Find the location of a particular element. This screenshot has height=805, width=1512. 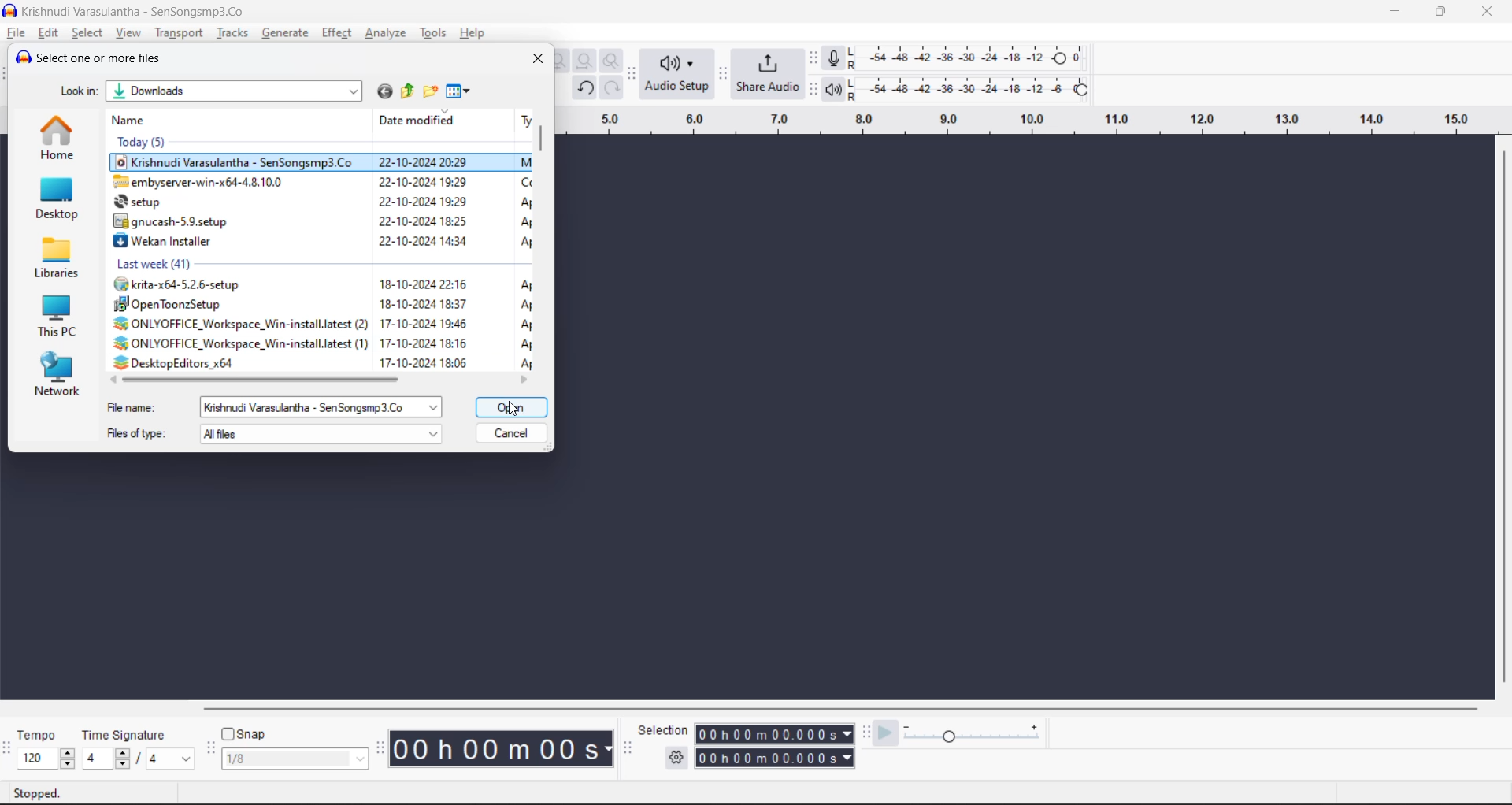

close window is located at coordinates (539, 57).